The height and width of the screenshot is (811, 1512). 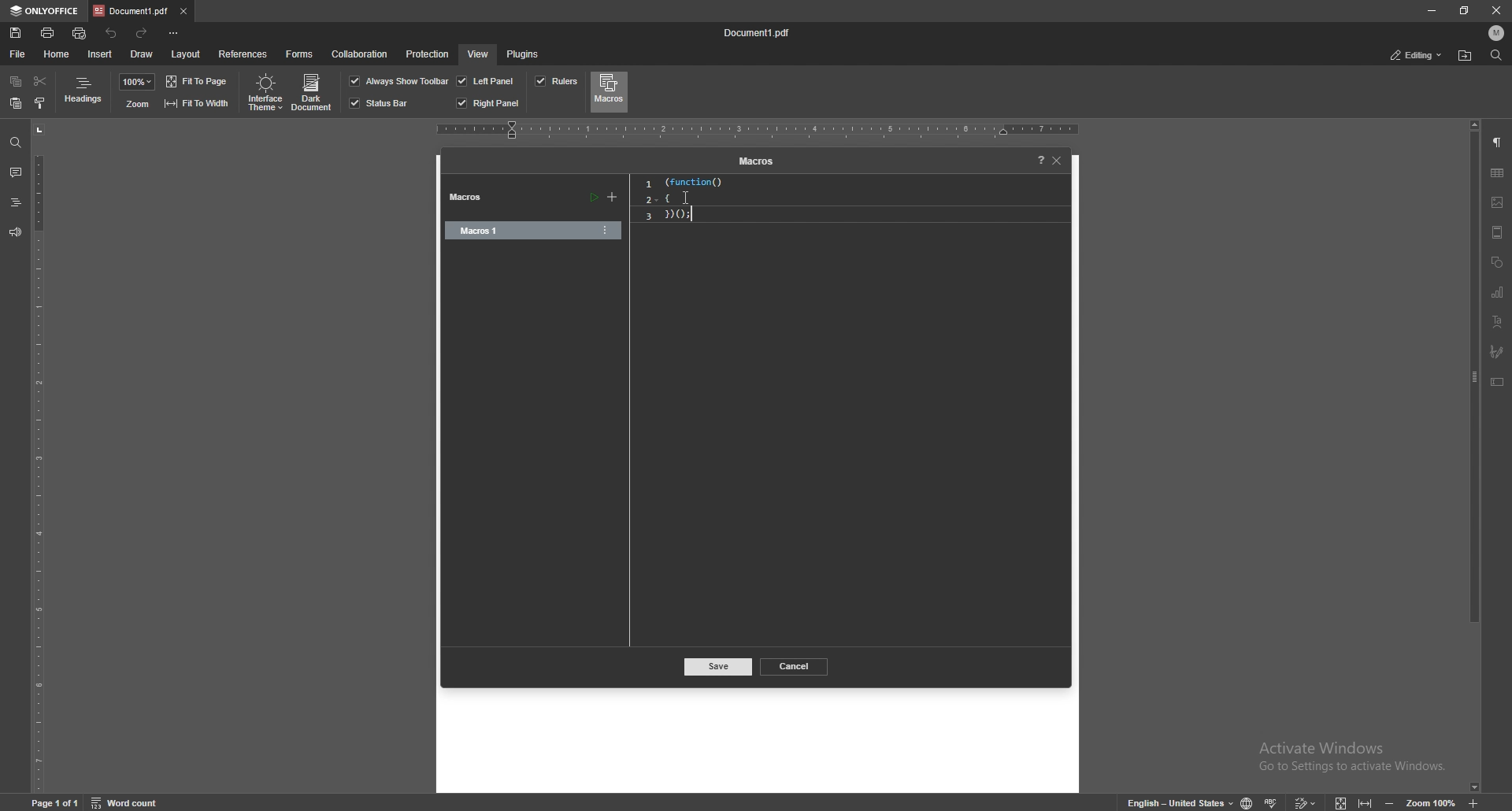 I want to click on file, so click(x=18, y=54).